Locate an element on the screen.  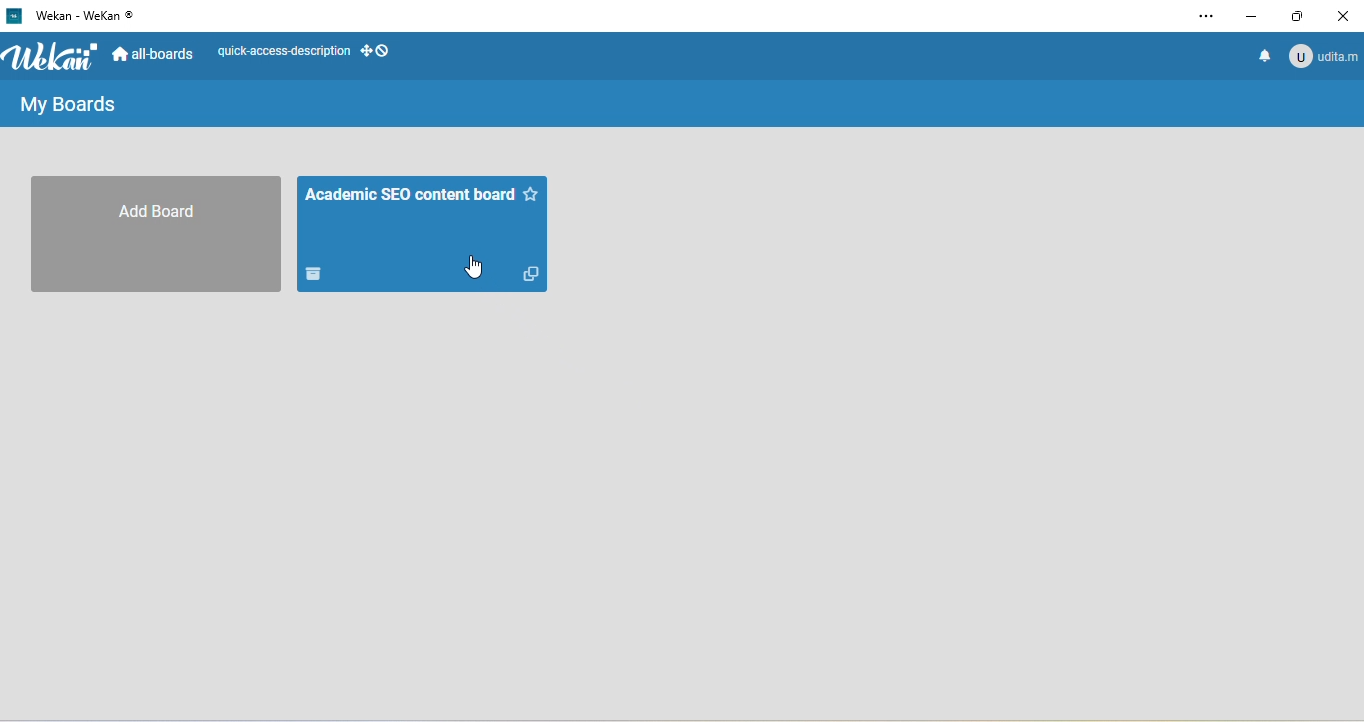
academic seo content board is located at coordinates (422, 234).